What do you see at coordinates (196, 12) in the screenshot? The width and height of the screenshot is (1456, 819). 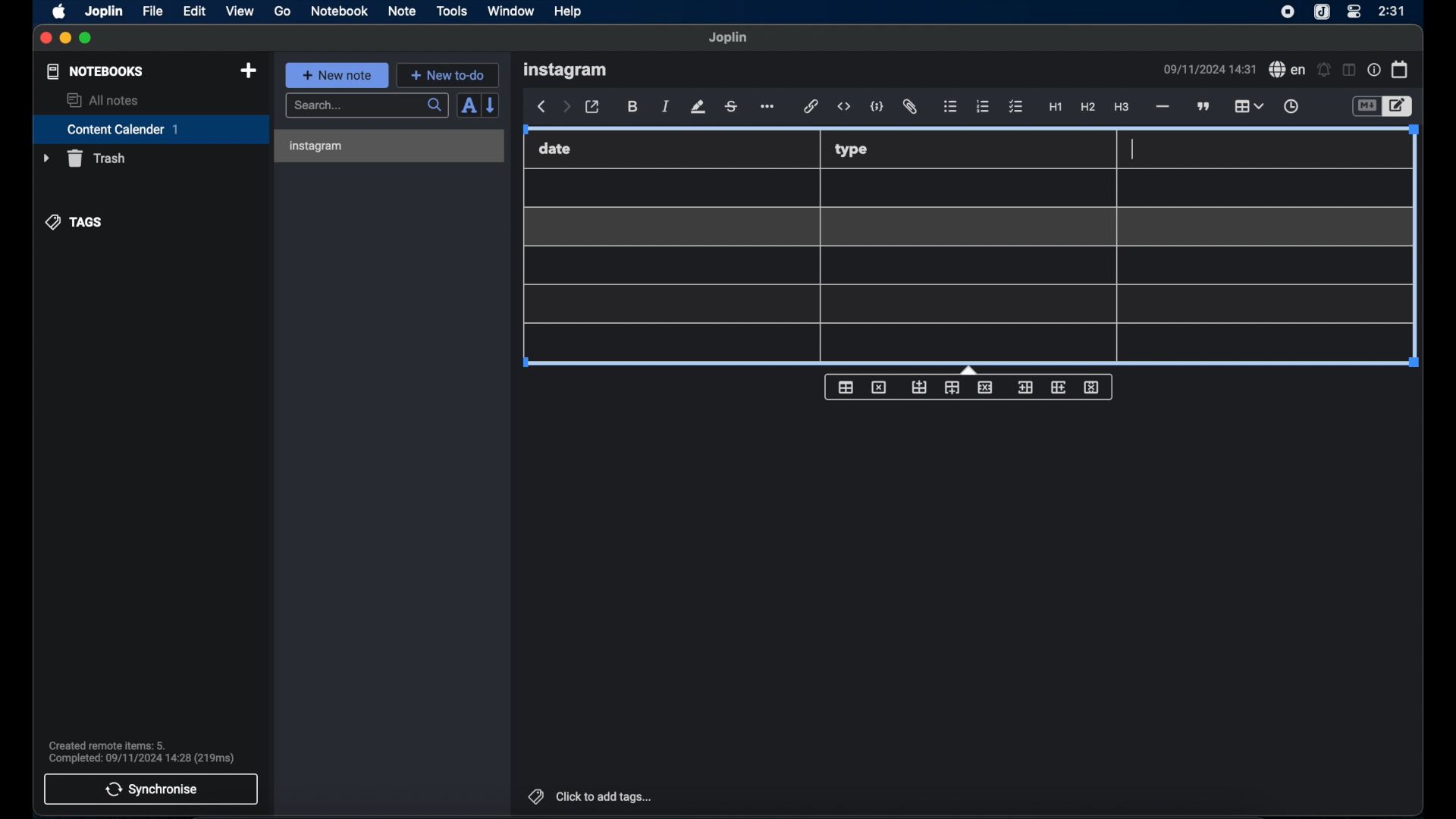 I see `edit` at bounding box center [196, 12].